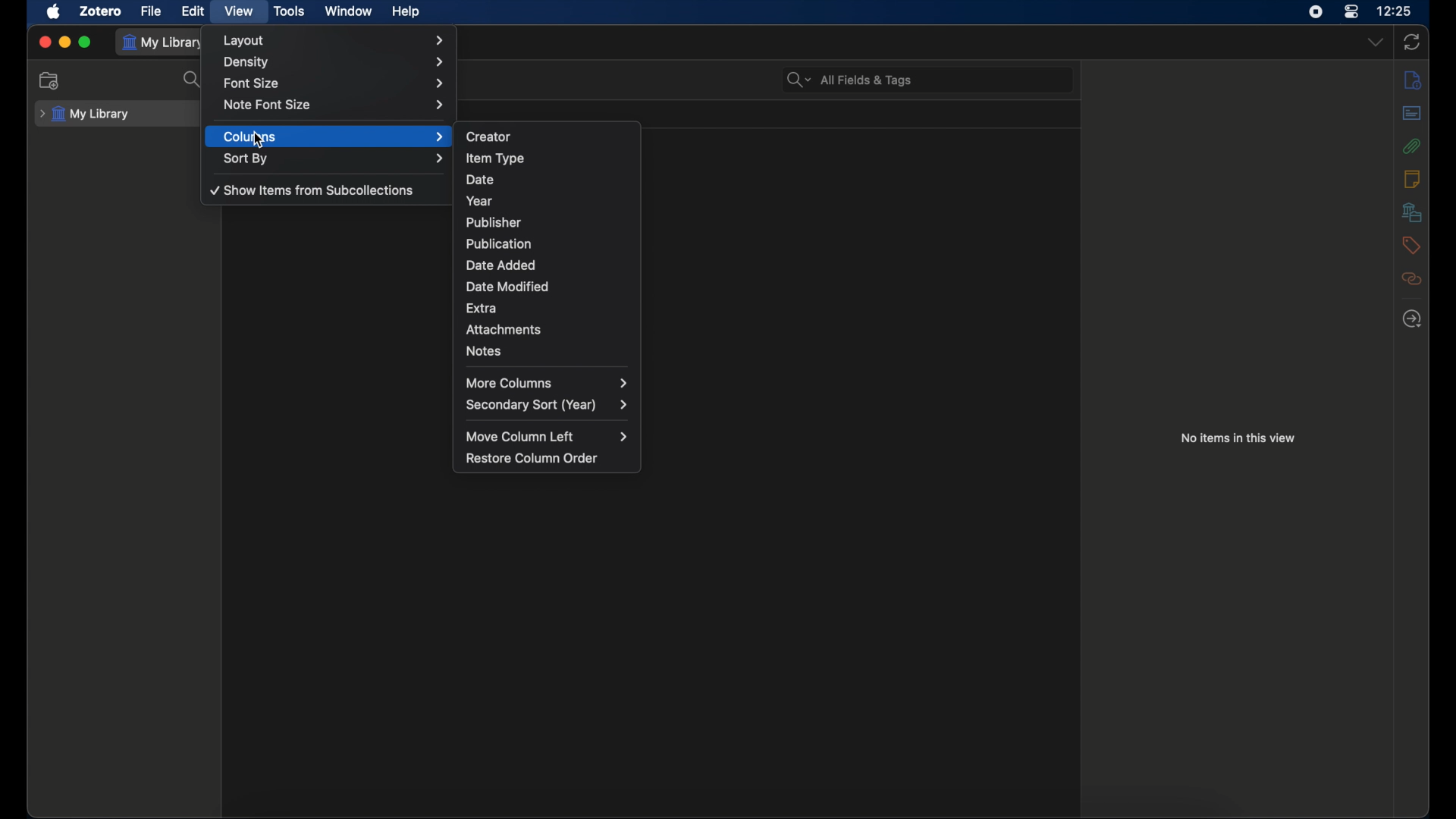  I want to click on info, so click(1412, 80).